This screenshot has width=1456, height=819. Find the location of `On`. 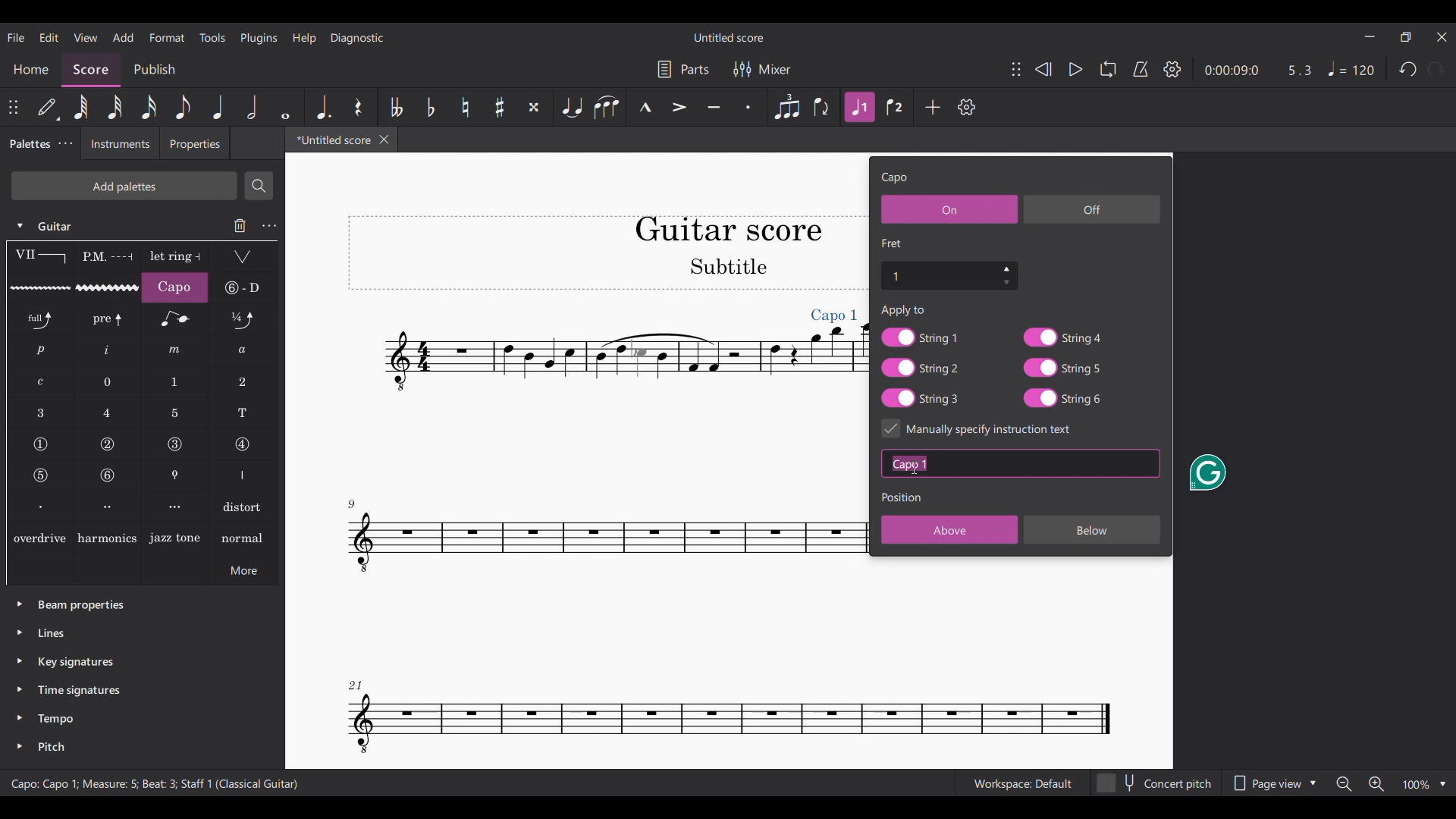

On is located at coordinates (949, 209).